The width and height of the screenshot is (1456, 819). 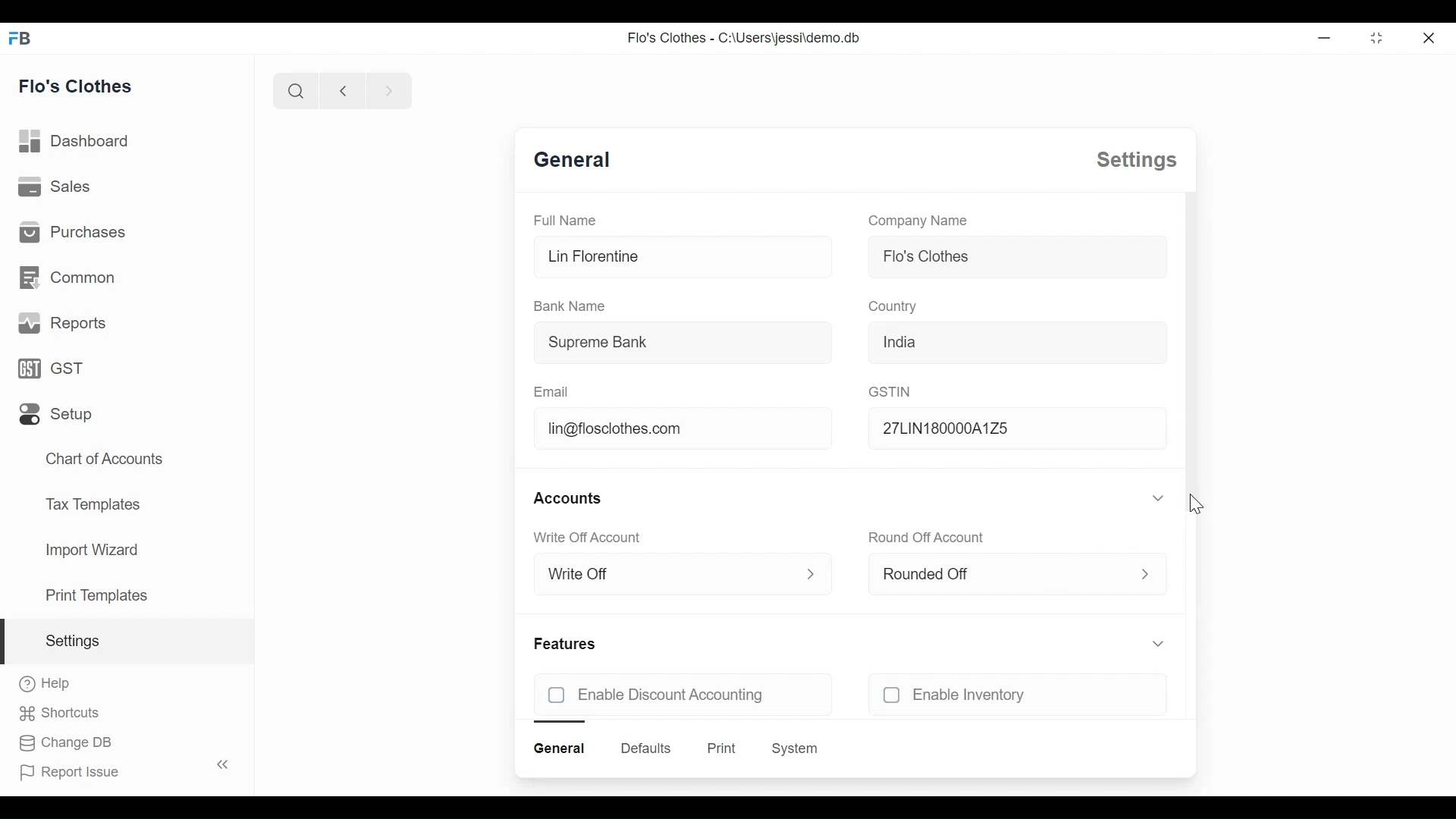 I want to click on Print, so click(x=720, y=748).